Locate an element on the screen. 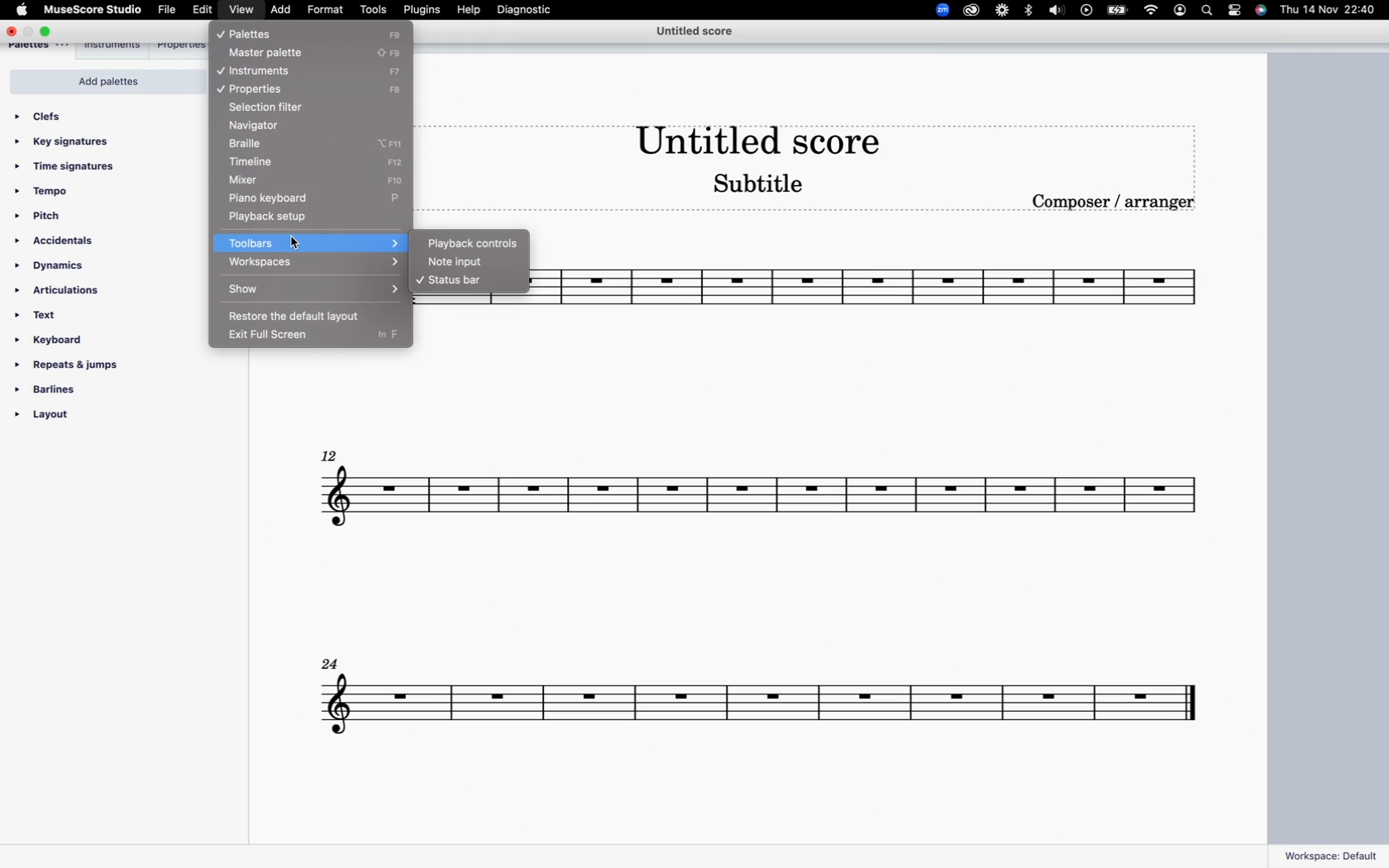 The height and width of the screenshot is (868, 1389). musescore studio is located at coordinates (94, 10).